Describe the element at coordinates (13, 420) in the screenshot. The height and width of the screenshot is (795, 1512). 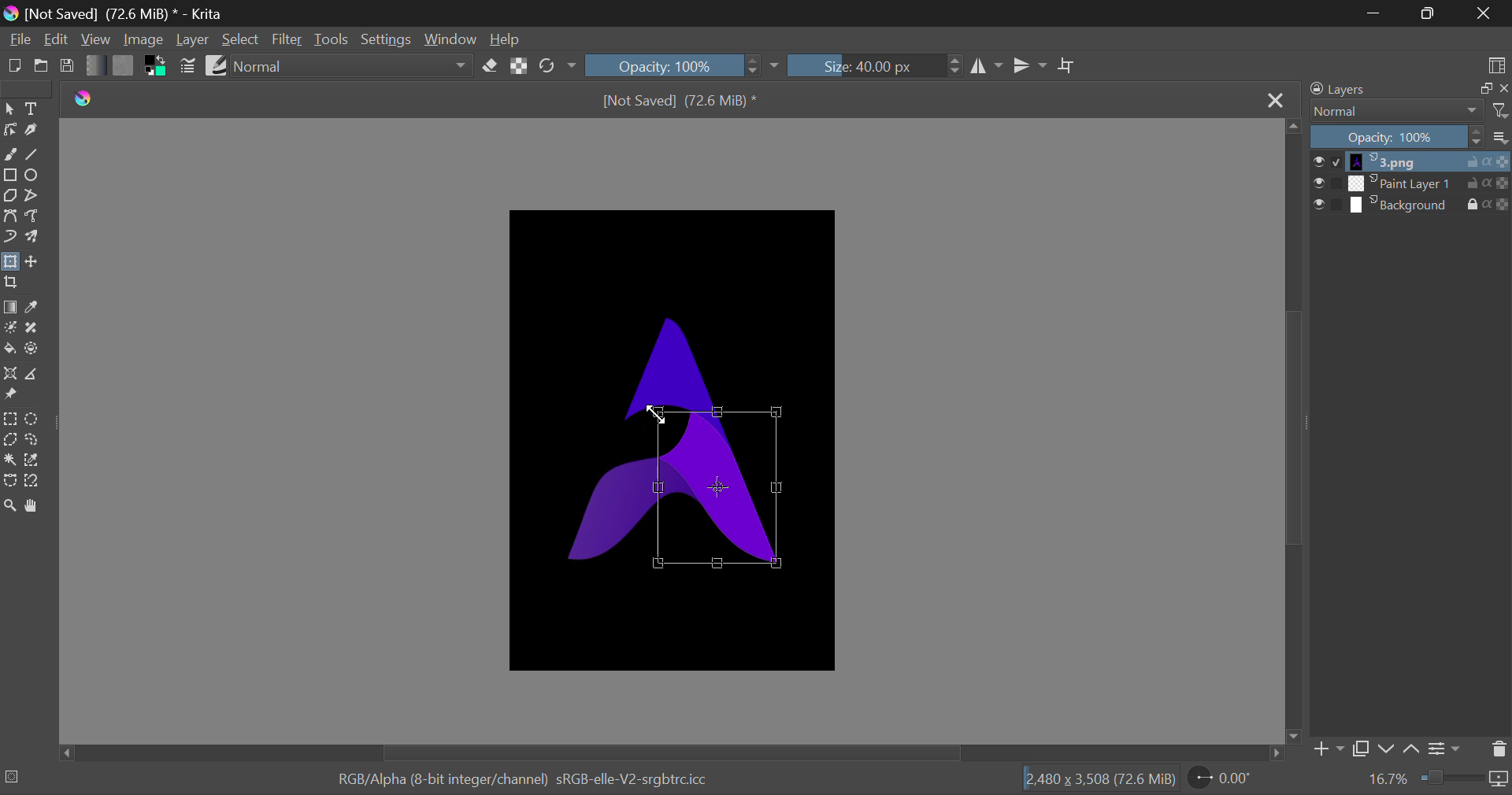
I see `Rectangle Selection` at that location.